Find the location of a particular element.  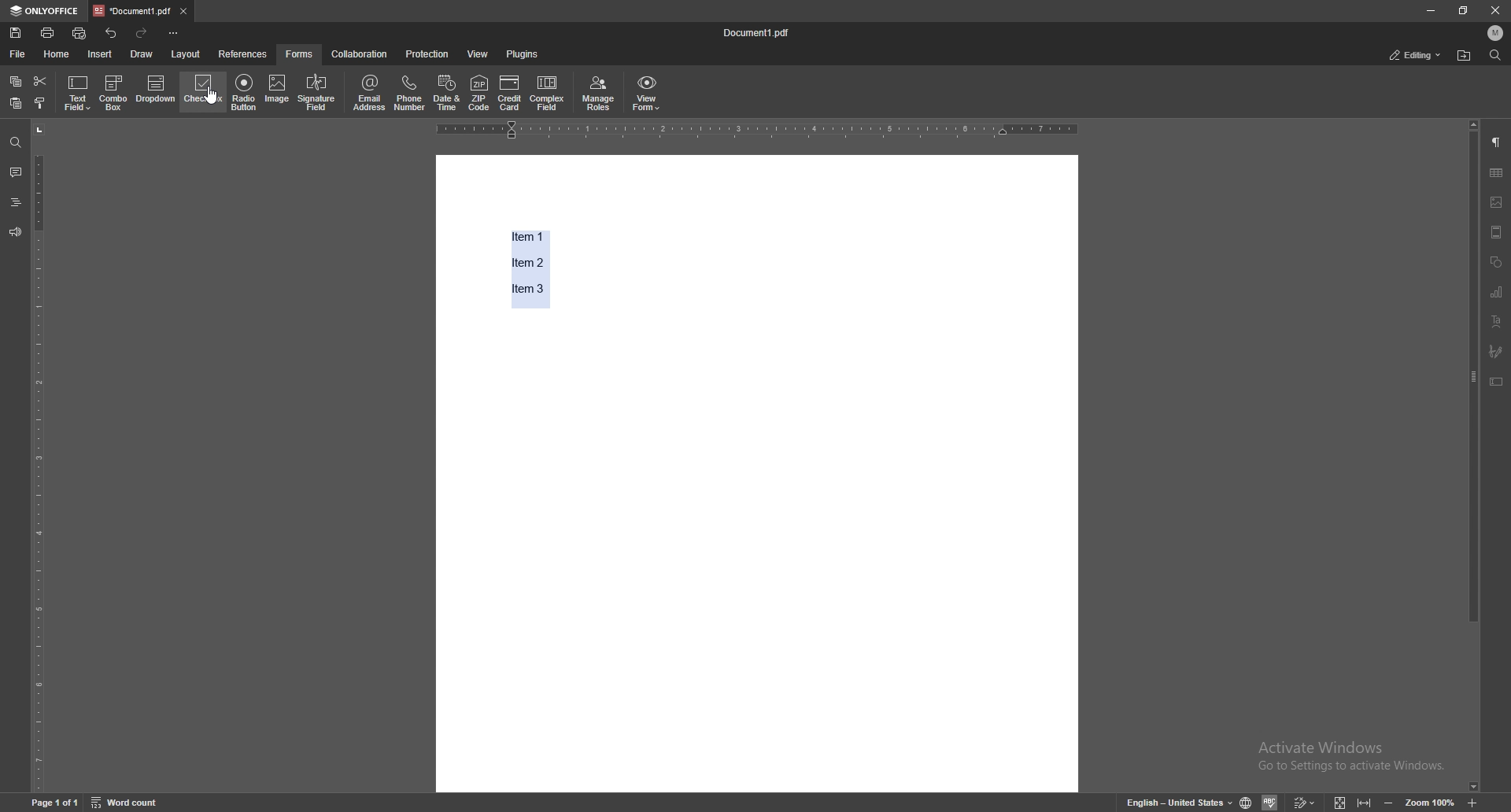

horizontal scale is located at coordinates (756, 131).